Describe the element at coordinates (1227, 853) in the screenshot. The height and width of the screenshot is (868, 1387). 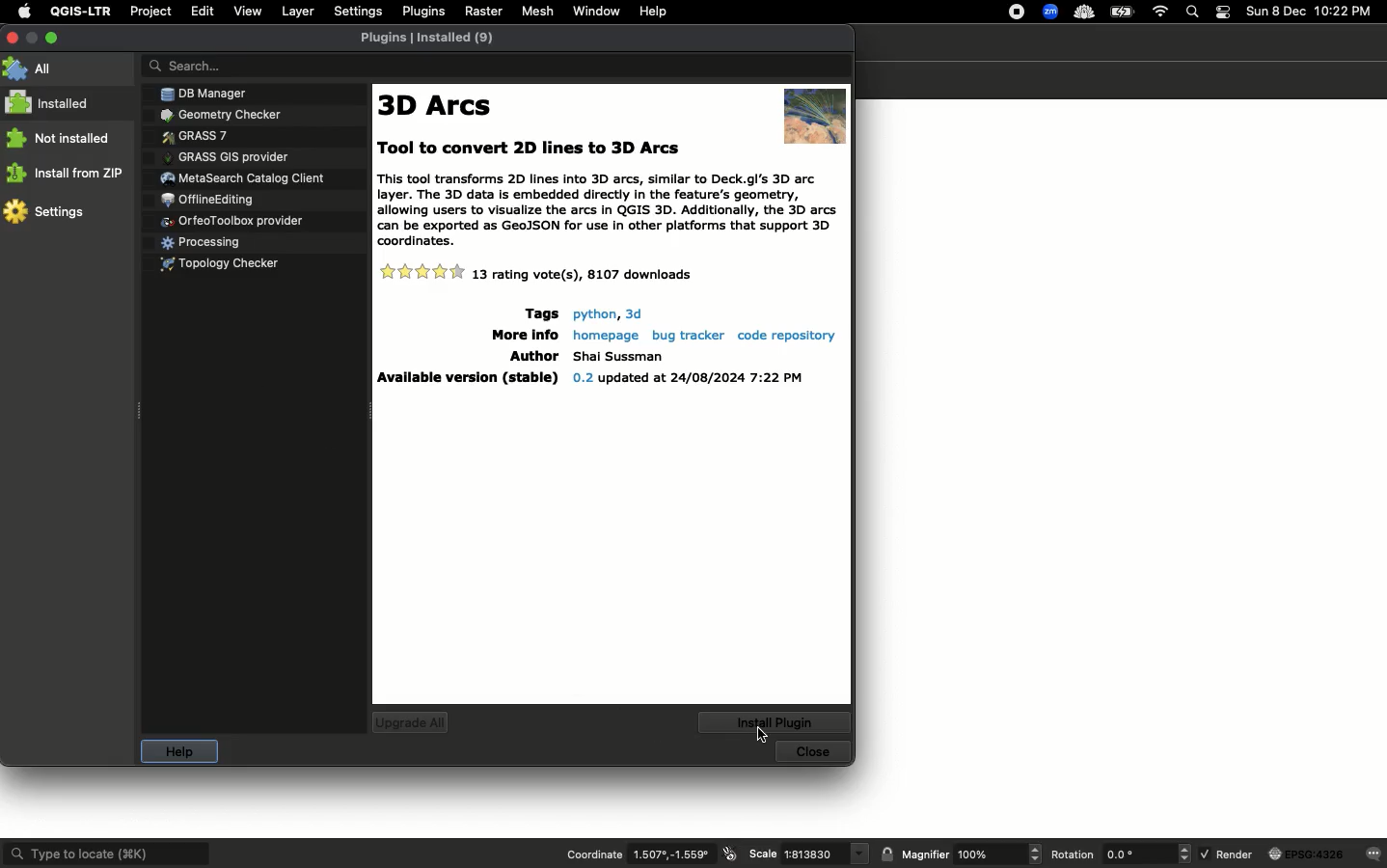
I see `Render` at that location.